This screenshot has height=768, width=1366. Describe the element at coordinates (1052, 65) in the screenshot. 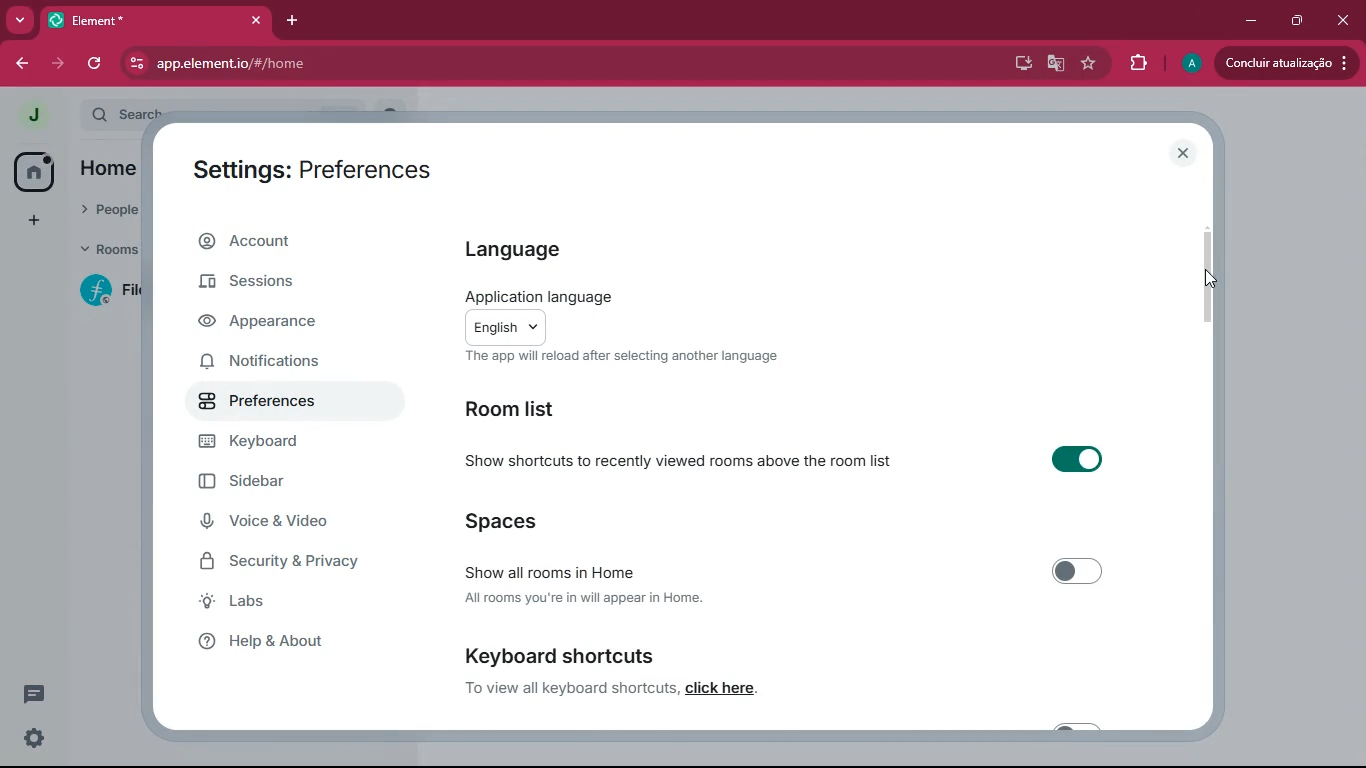

I see `google translate ` at that location.